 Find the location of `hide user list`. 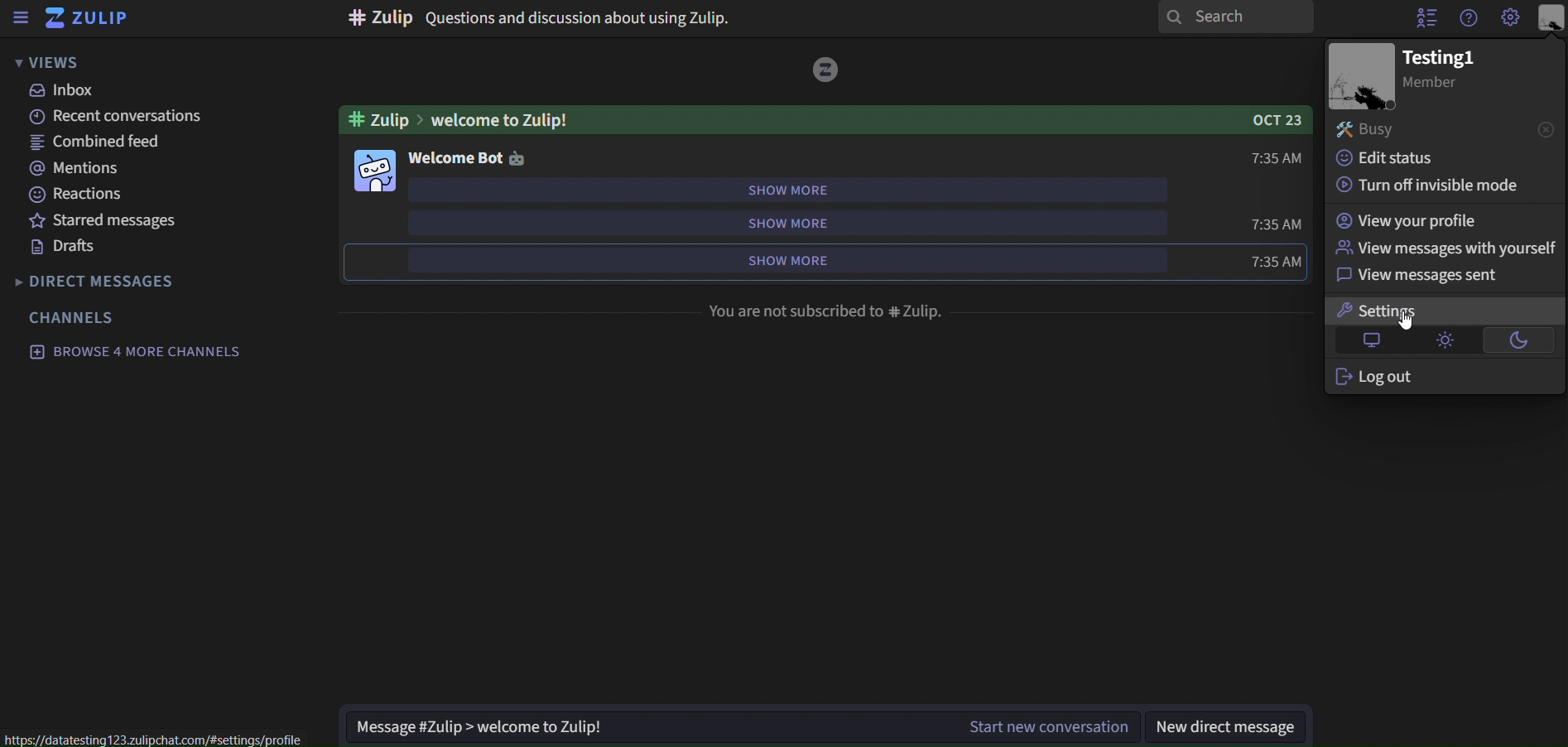

hide user list is located at coordinates (1427, 19).